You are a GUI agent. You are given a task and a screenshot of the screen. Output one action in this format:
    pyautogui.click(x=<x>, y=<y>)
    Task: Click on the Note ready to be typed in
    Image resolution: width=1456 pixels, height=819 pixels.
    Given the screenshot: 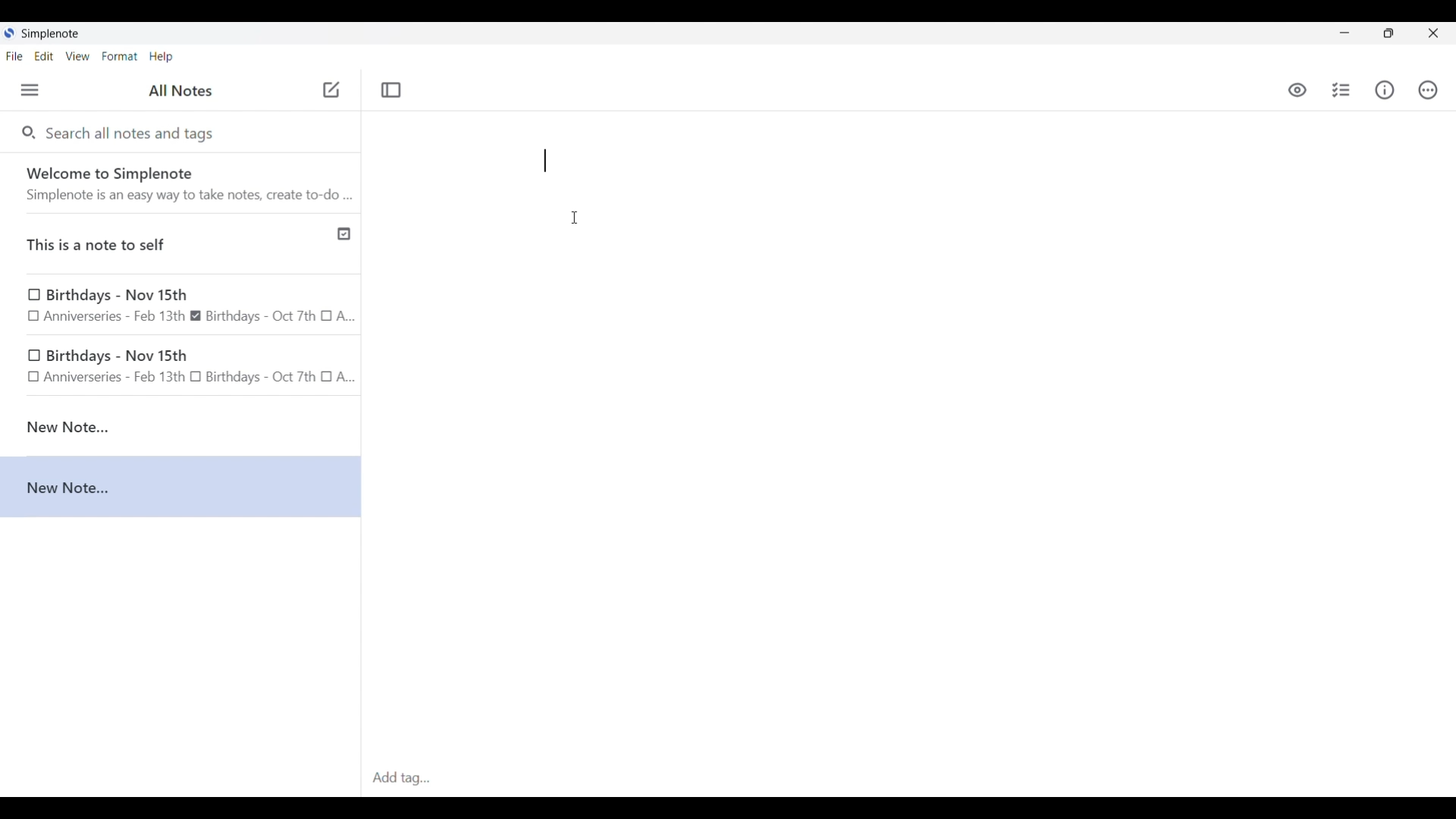 What is the action you would take?
    pyautogui.click(x=545, y=161)
    